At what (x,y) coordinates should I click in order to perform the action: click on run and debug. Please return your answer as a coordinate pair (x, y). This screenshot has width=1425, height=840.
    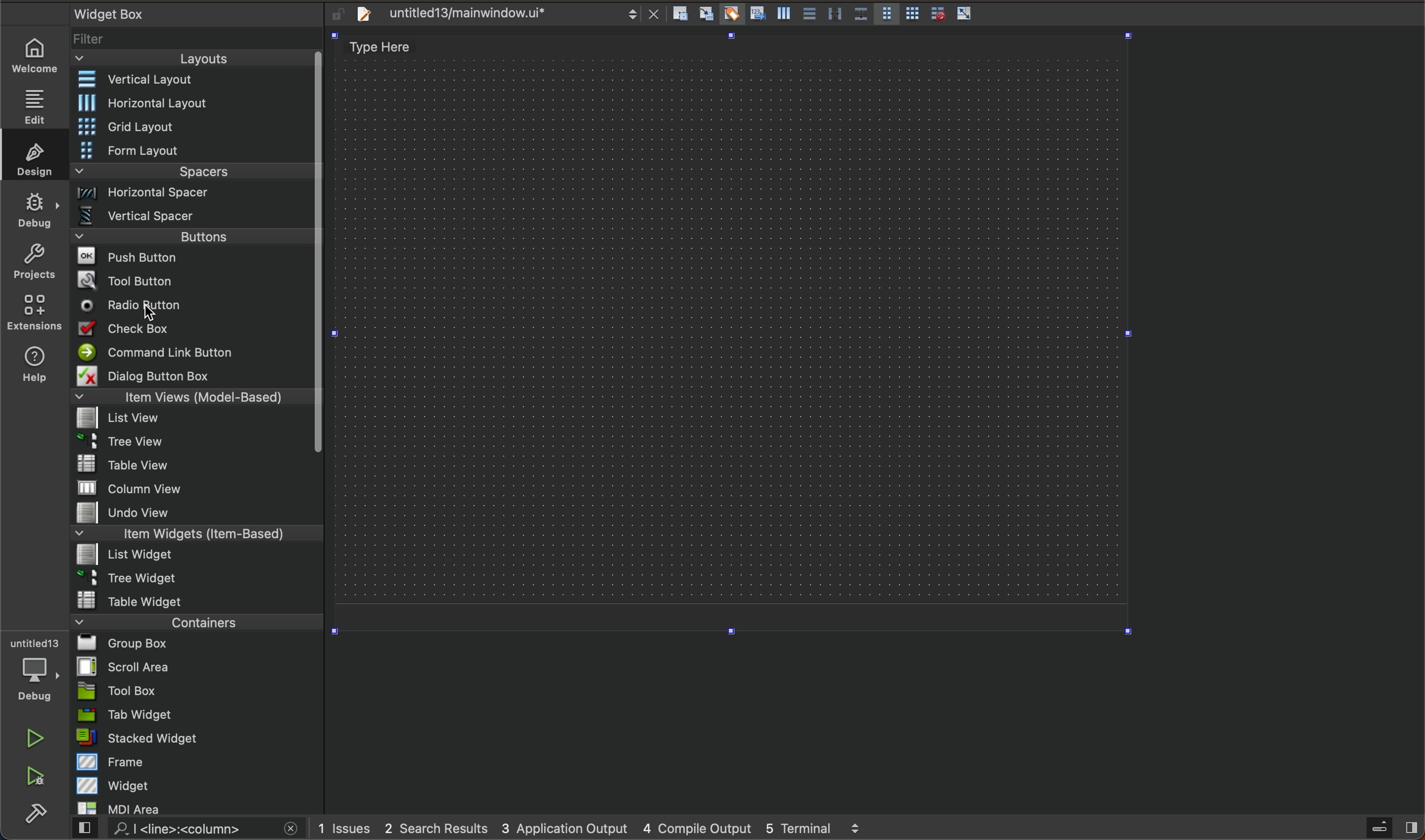
    Looking at the image, I should click on (37, 778).